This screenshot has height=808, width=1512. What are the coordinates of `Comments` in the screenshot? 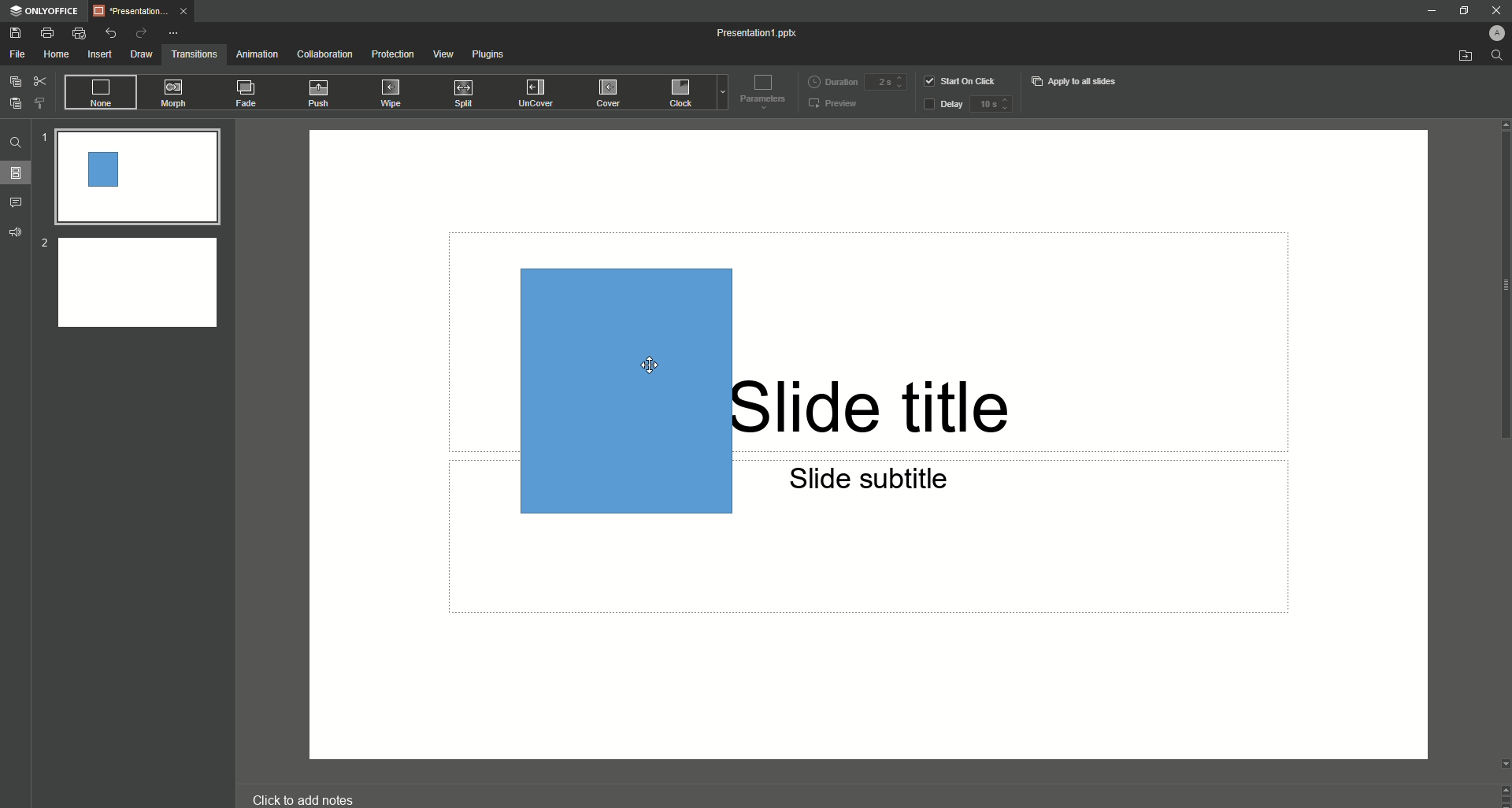 It's located at (20, 203).